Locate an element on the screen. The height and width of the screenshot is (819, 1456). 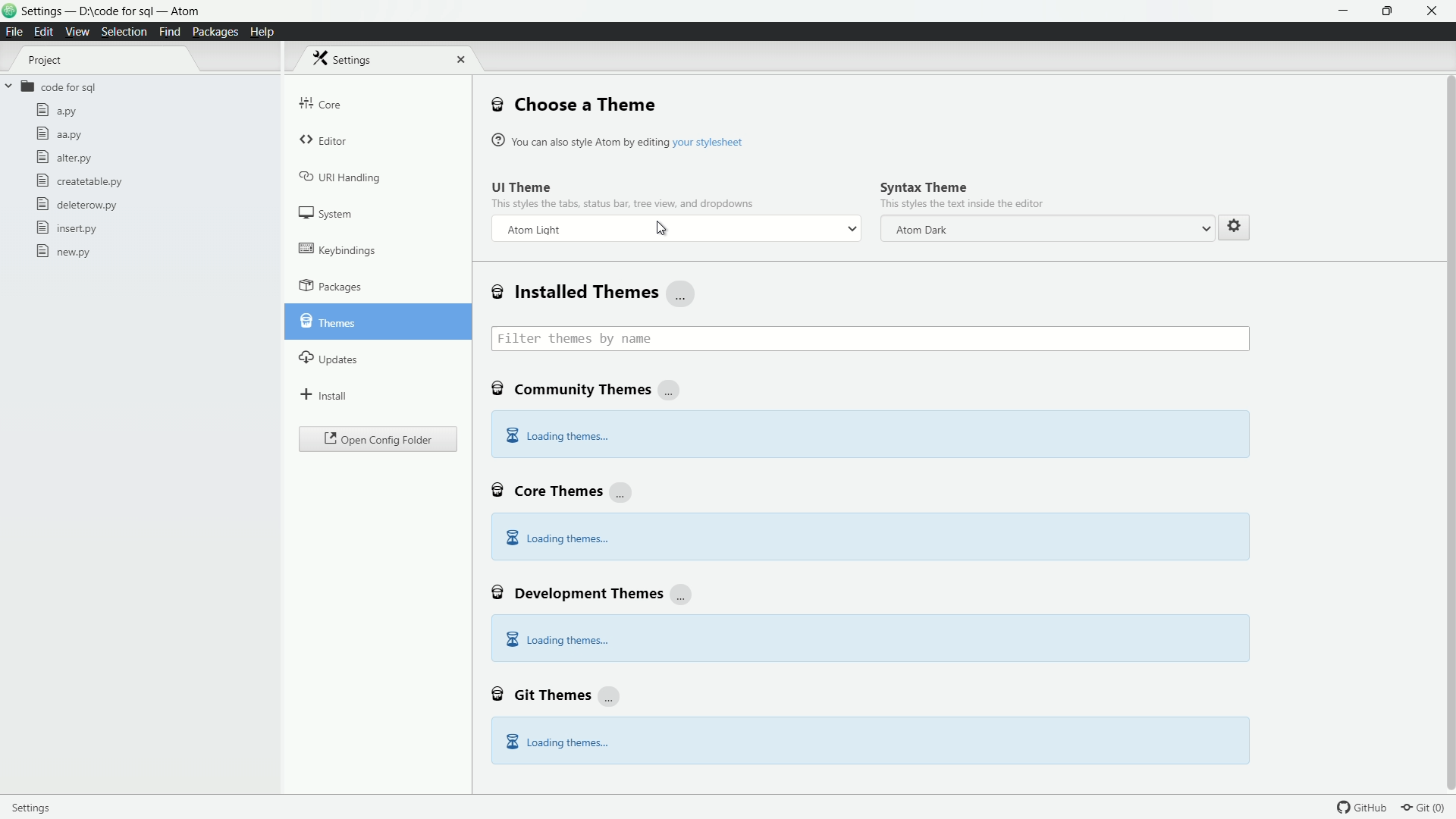
git is located at coordinates (1429, 807).